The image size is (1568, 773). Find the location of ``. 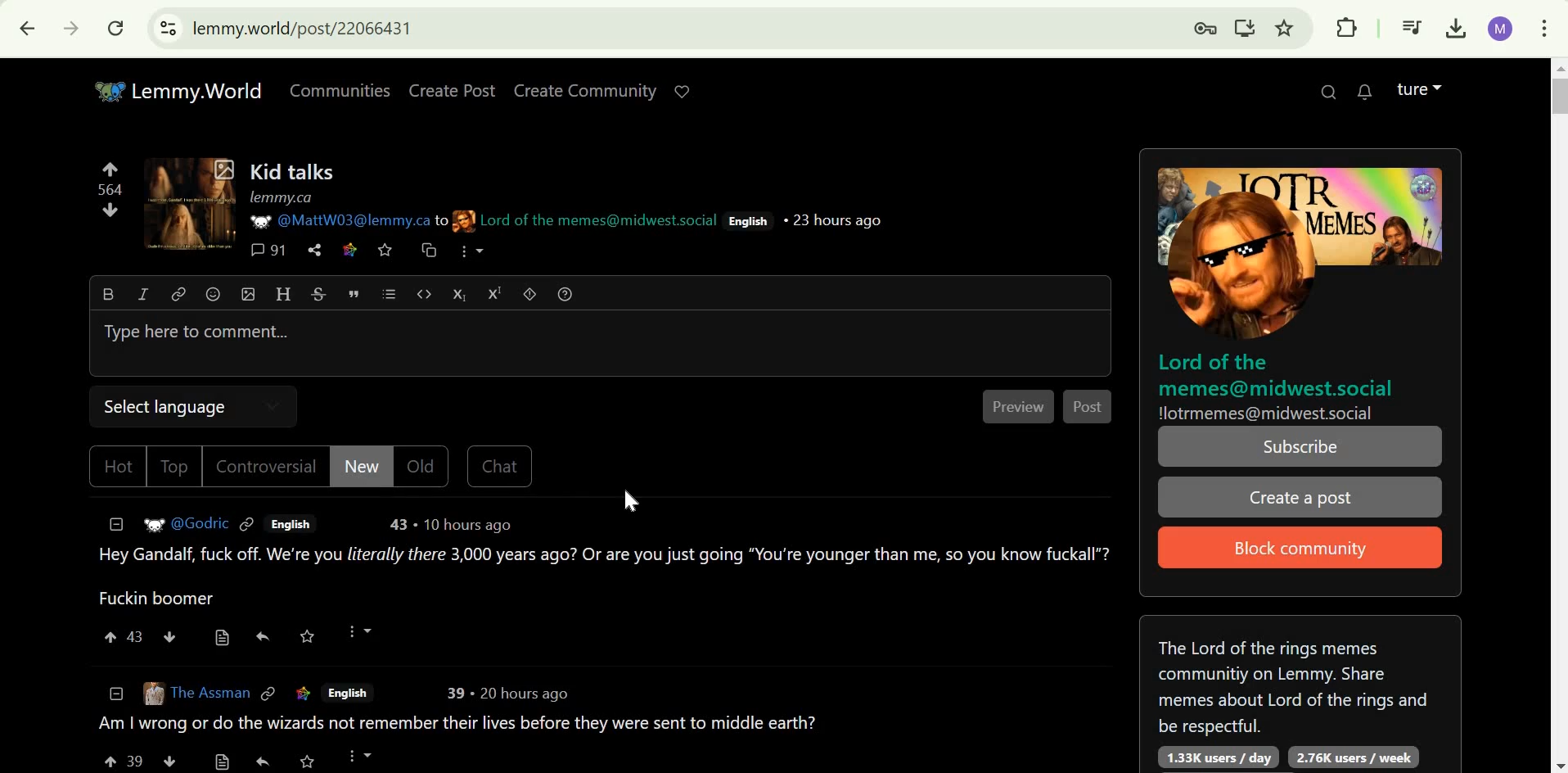

 is located at coordinates (1300, 256).